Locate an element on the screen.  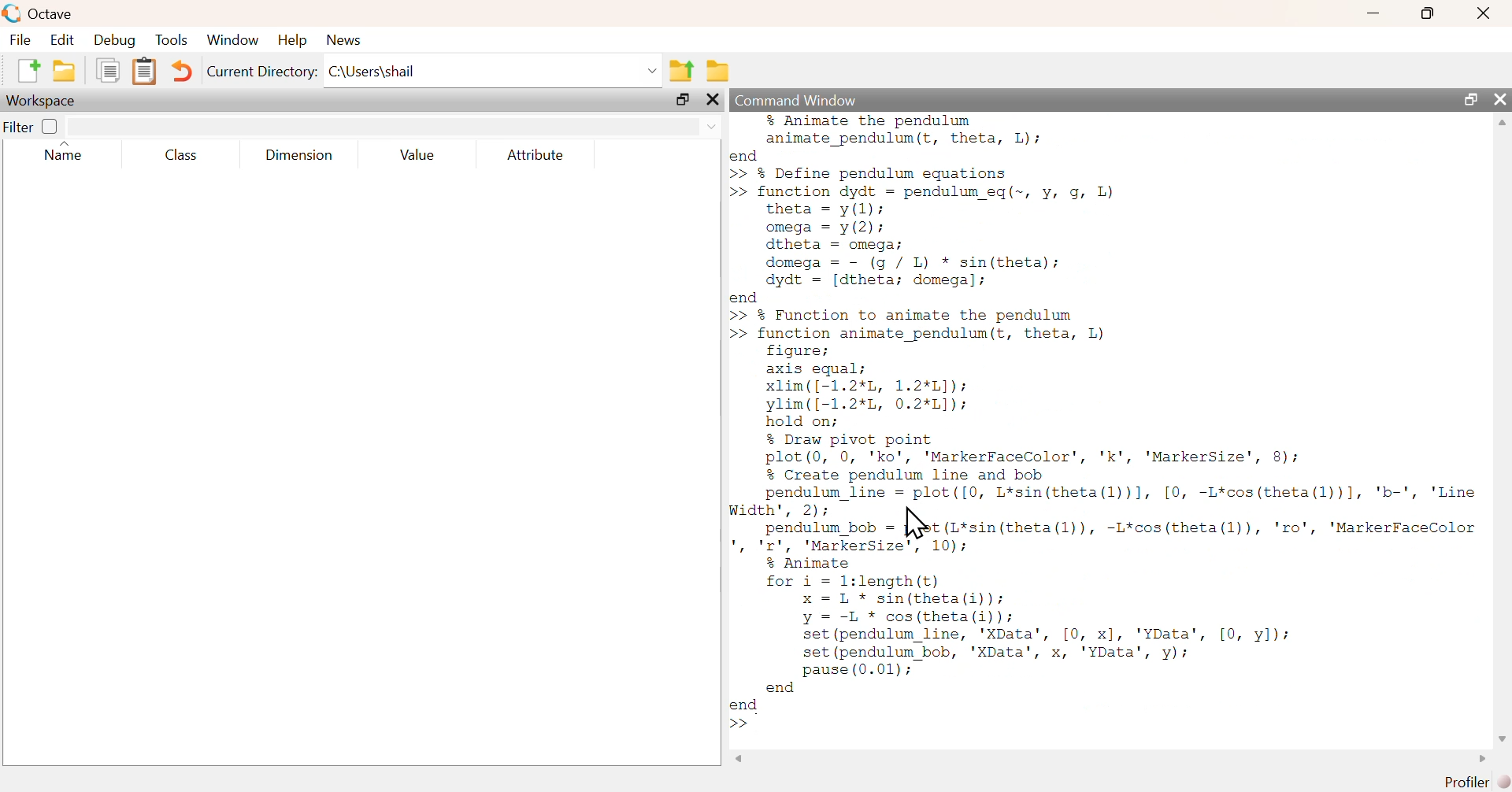
New Line is located at coordinates (739, 724).